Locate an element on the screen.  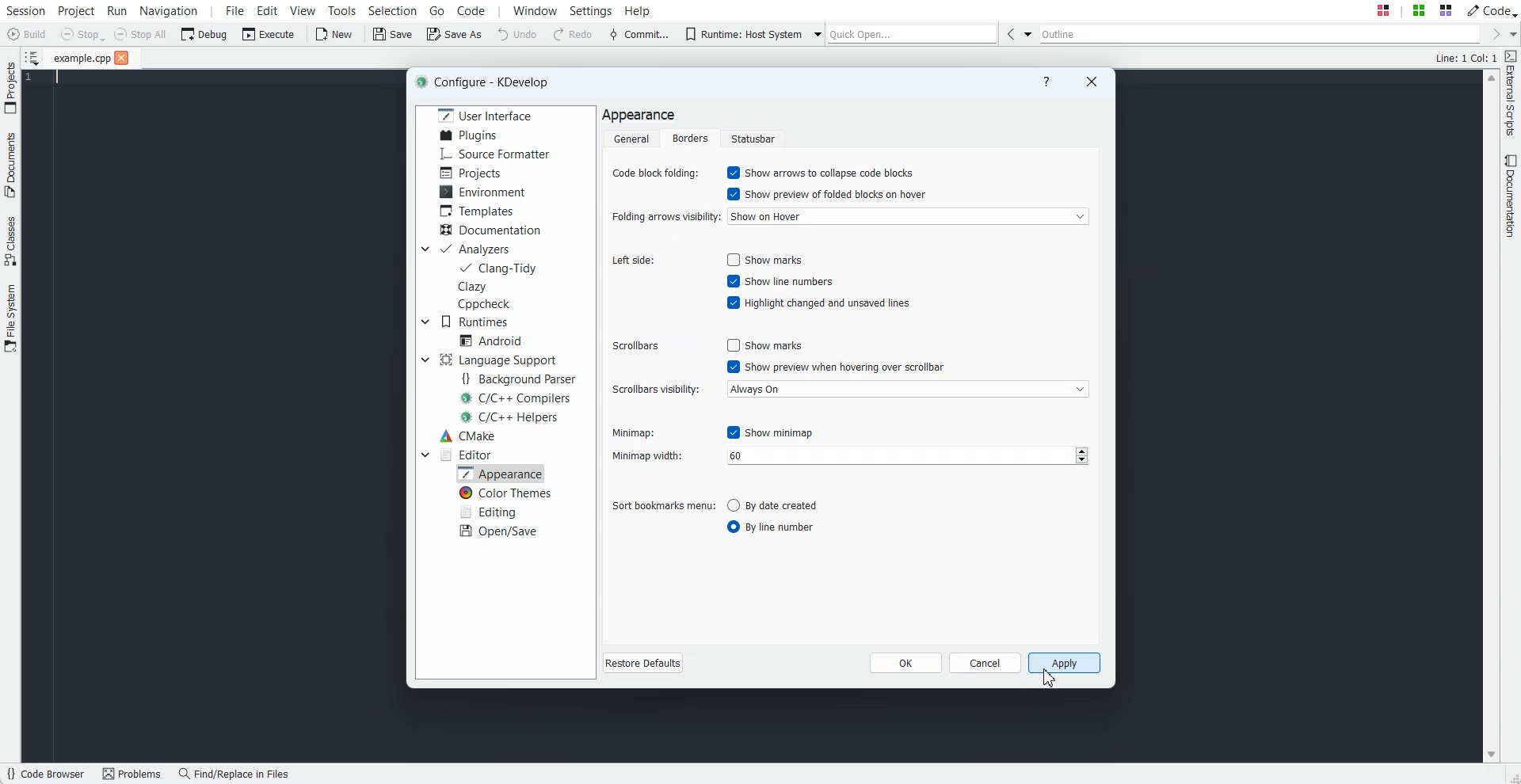
Cancel is located at coordinates (986, 662).